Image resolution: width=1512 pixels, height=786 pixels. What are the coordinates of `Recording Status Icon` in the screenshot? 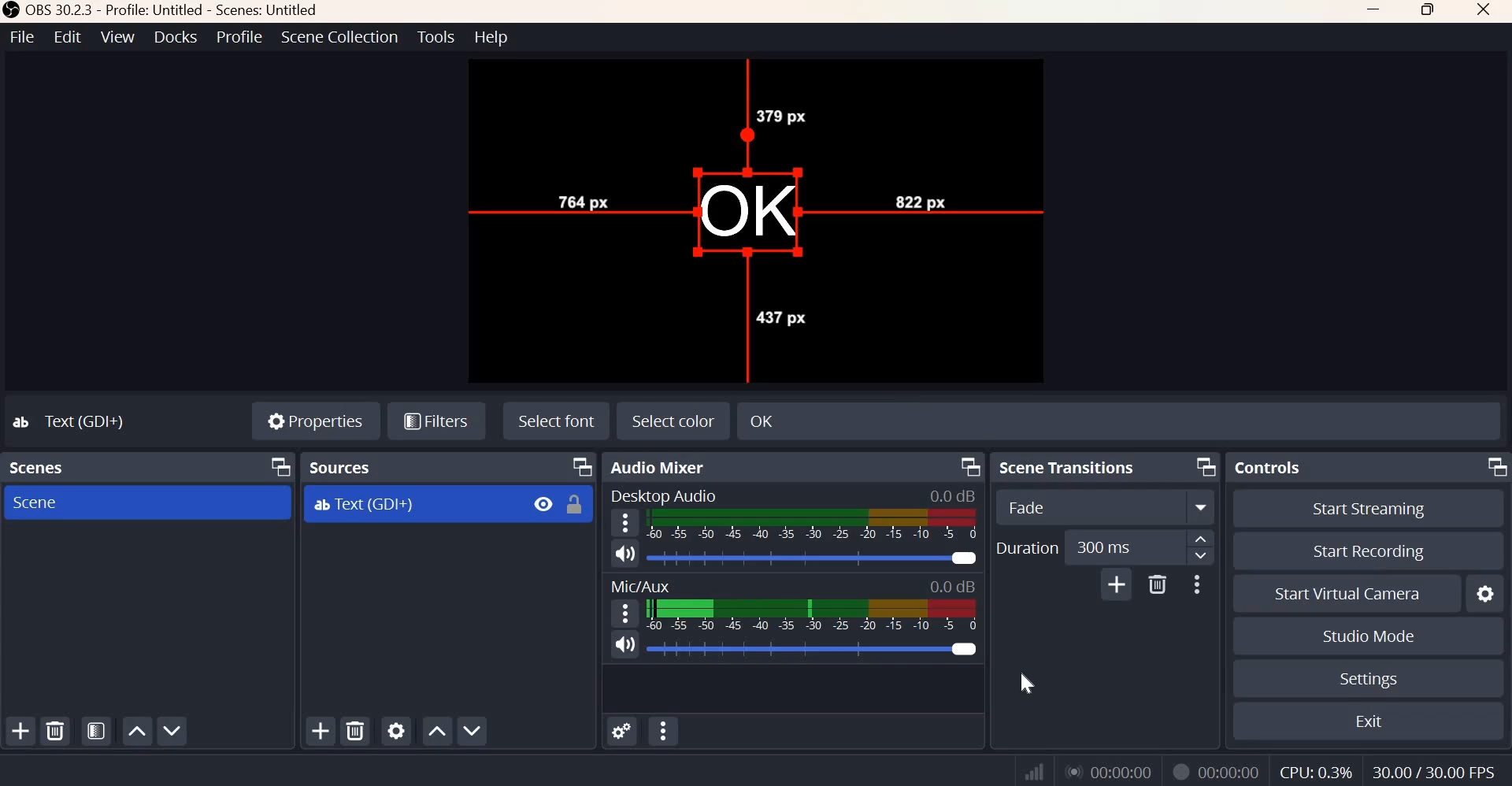 It's located at (1180, 773).